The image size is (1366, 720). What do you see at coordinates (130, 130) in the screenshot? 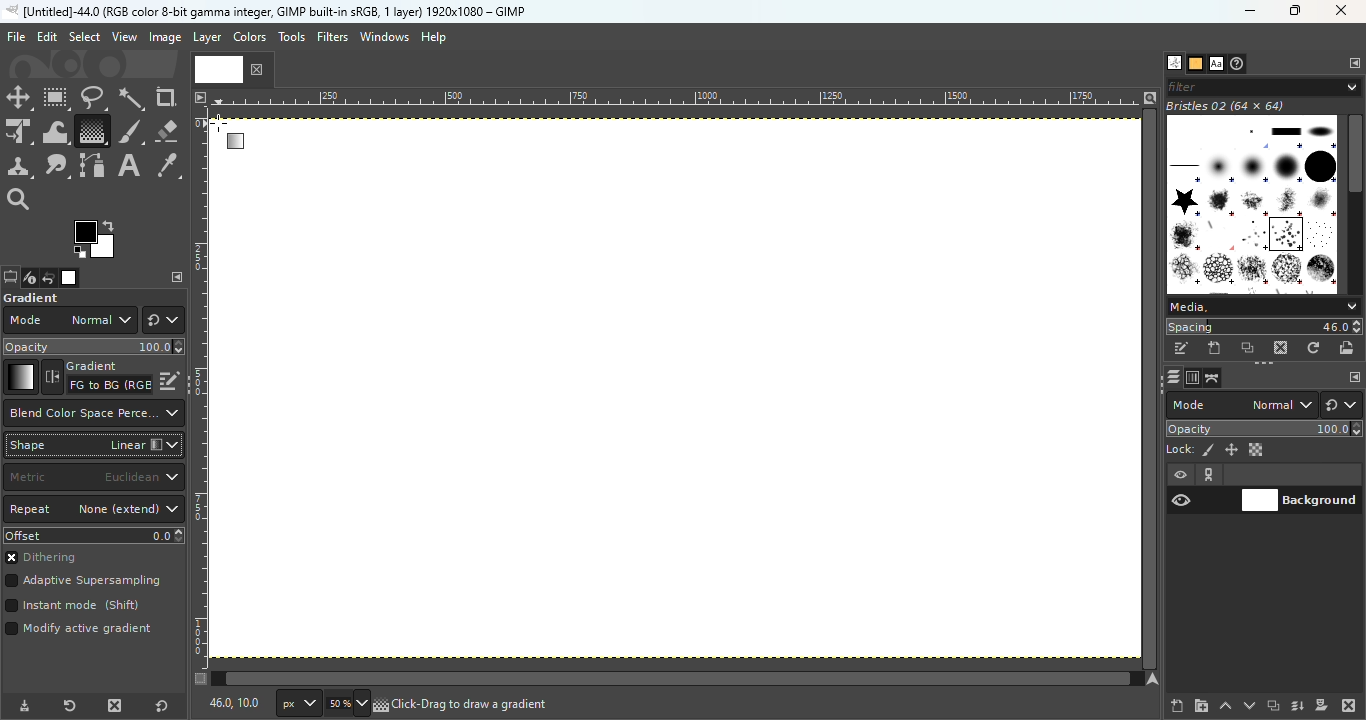
I see `Paint brush tool` at bounding box center [130, 130].